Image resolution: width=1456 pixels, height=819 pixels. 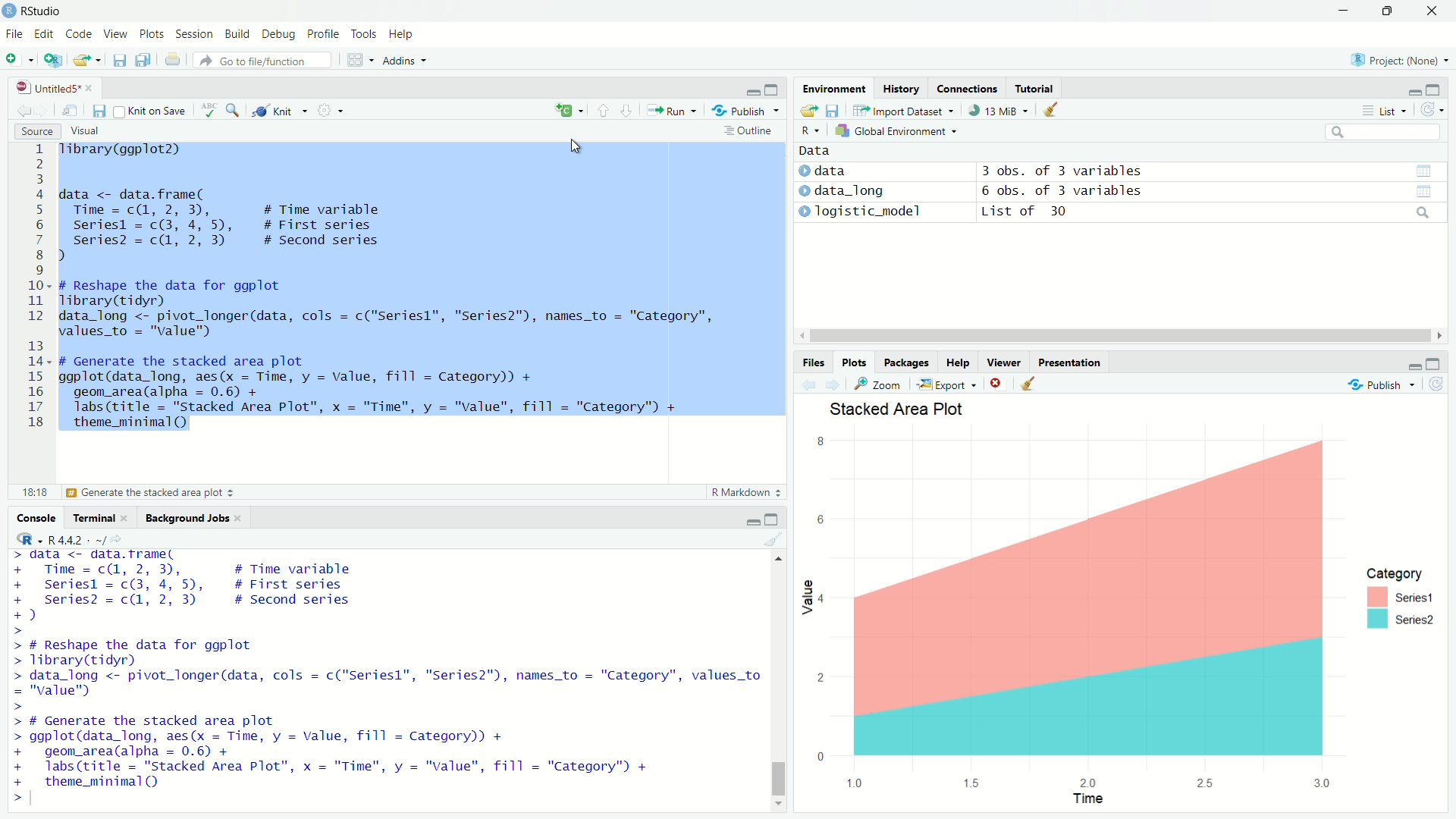 What do you see at coordinates (910, 113) in the screenshot?
I see `Import Dataset` at bounding box center [910, 113].